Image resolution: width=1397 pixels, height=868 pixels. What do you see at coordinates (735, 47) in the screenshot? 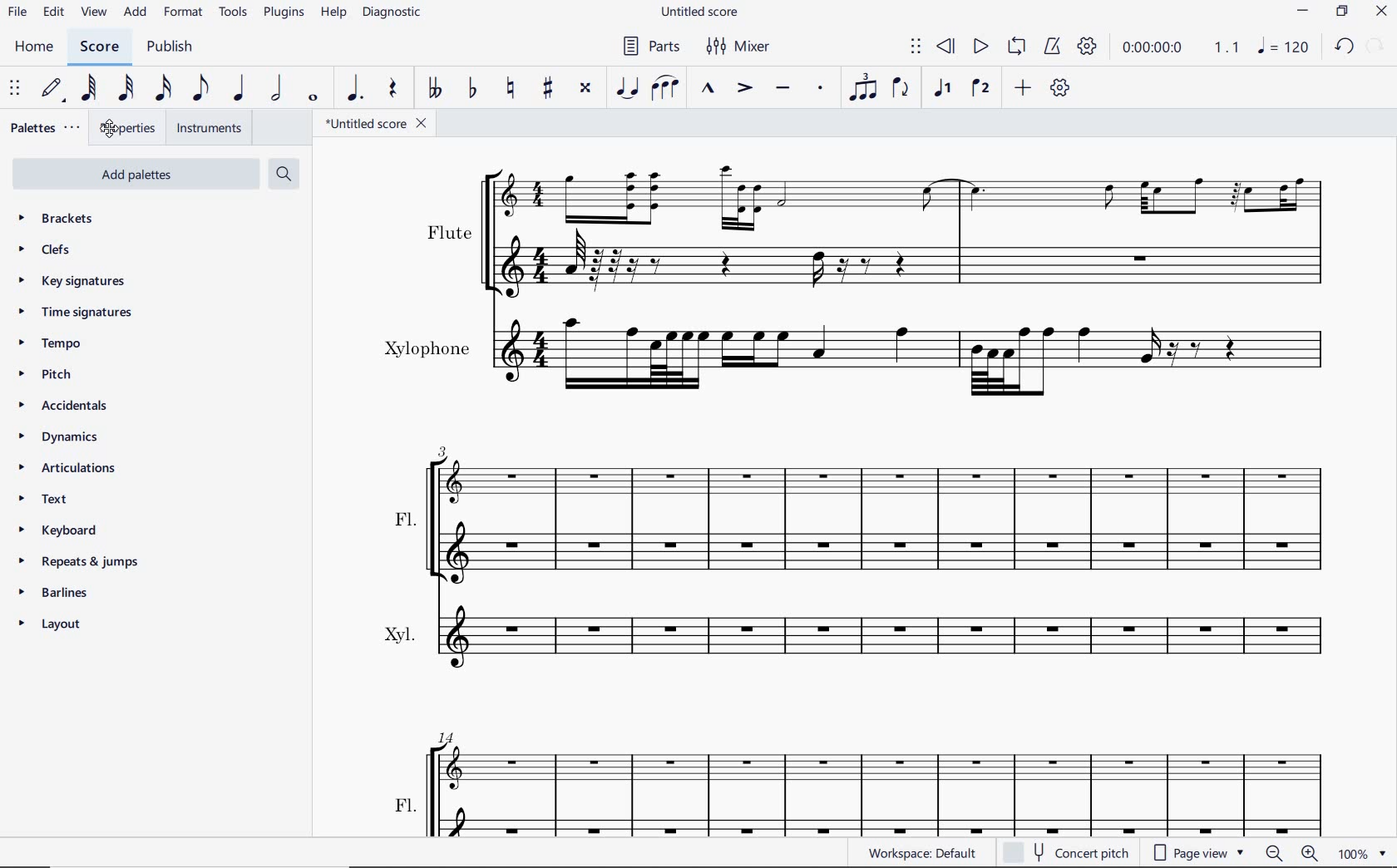
I see `MIXER` at bounding box center [735, 47].